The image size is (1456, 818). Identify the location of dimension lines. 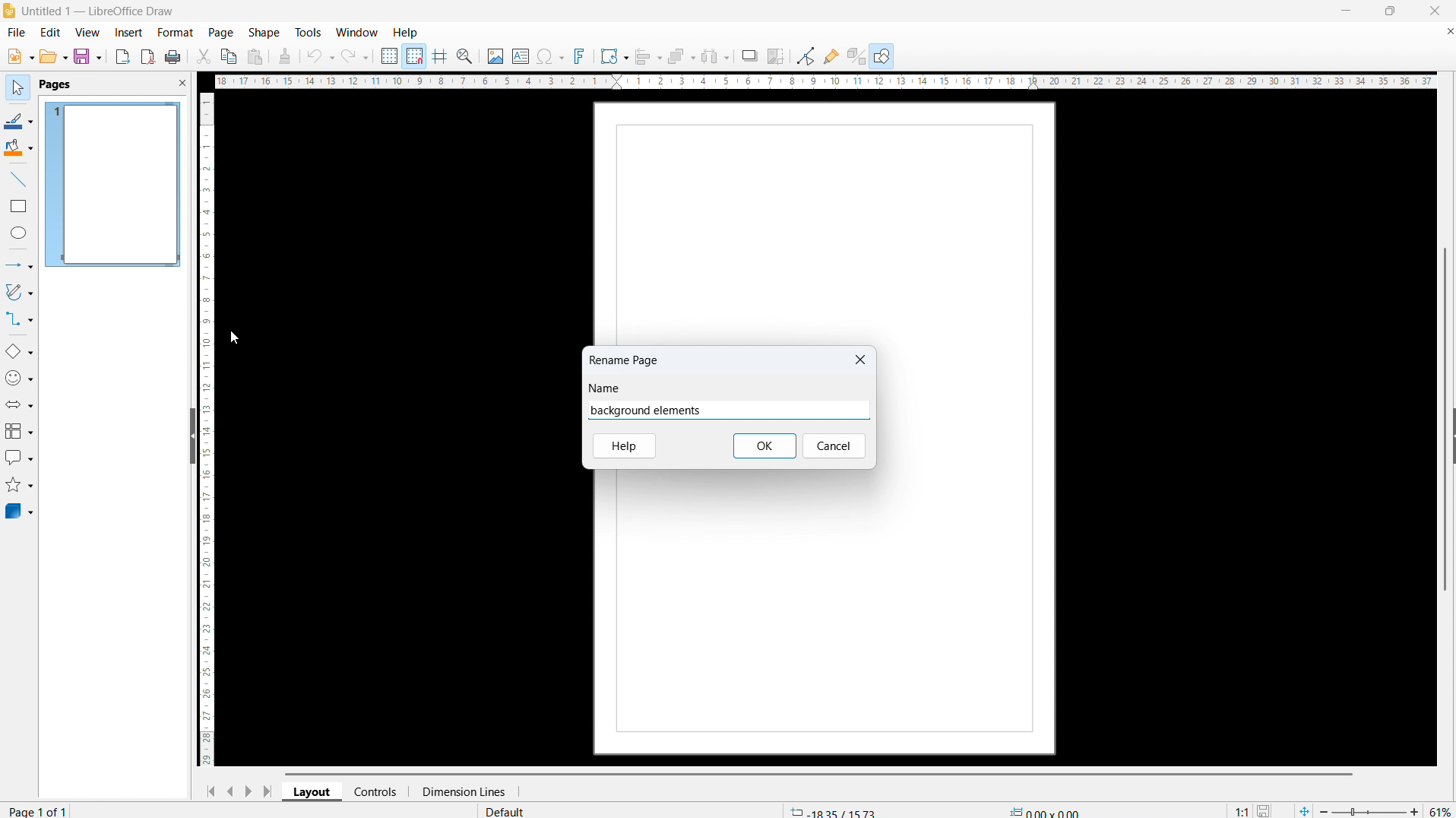
(459, 792).